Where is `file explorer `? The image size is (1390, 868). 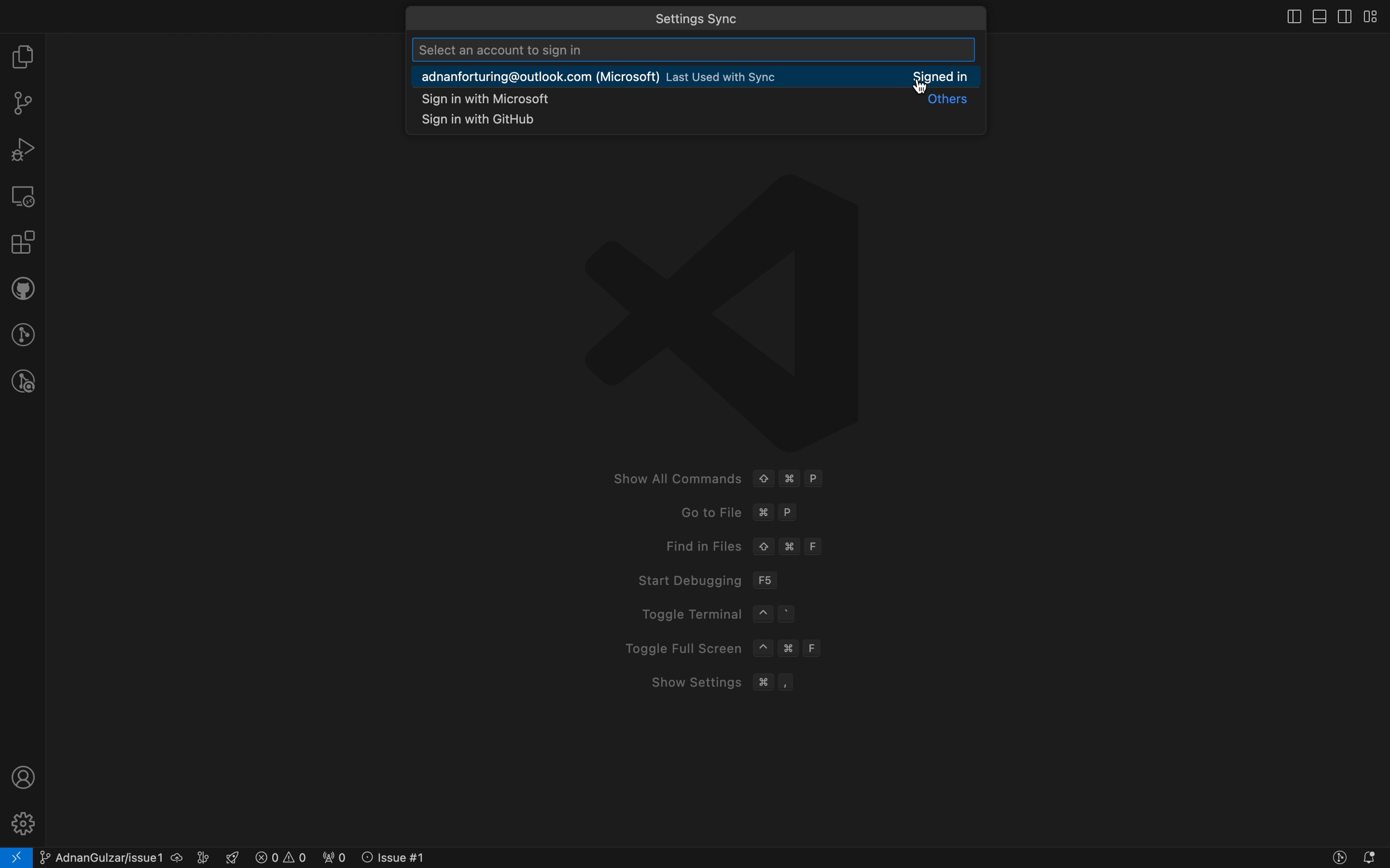 file explorer  is located at coordinates (23, 56).